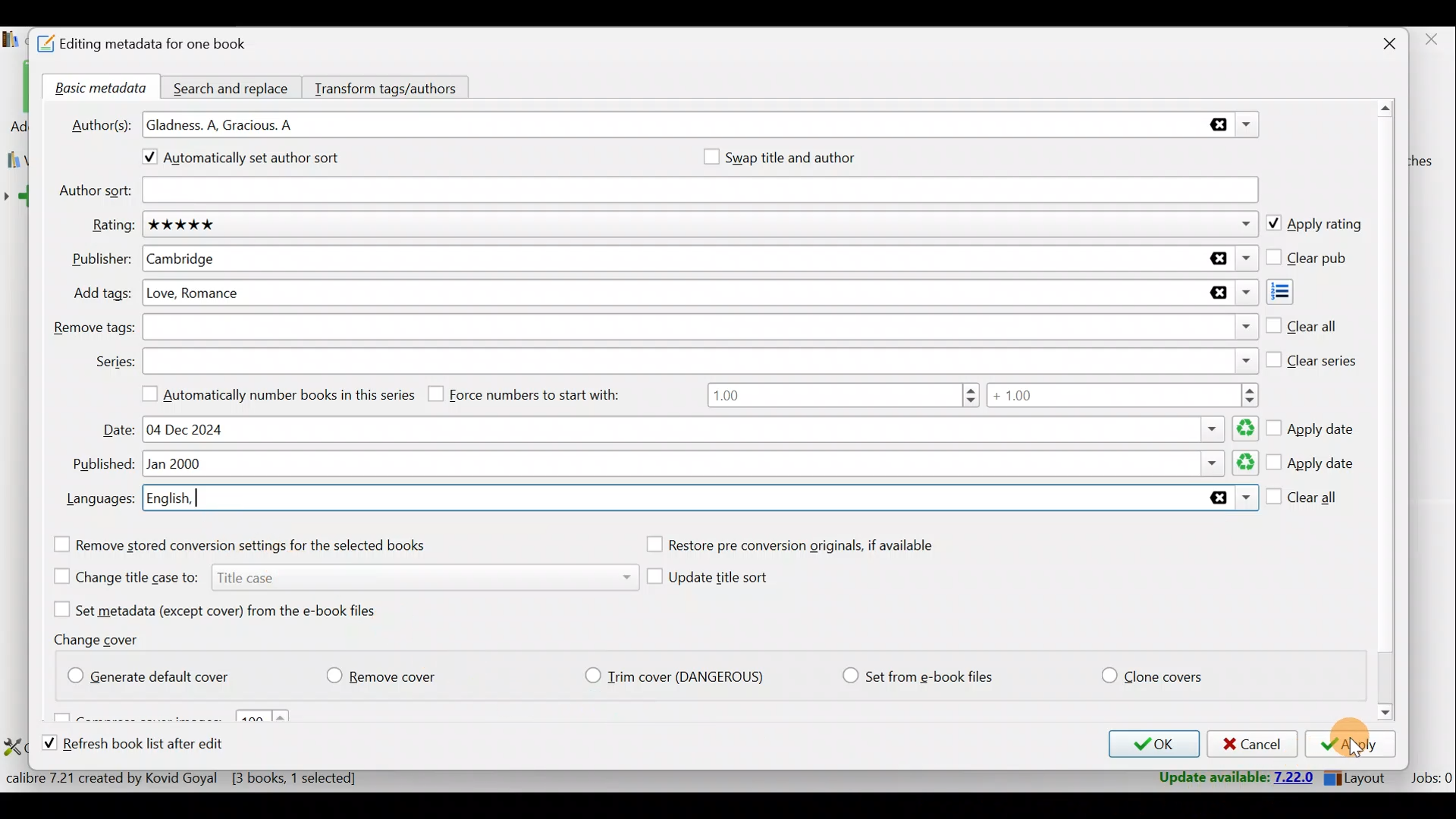 The width and height of the screenshot is (1456, 819). I want to click on Rating:, so click(112, 225).